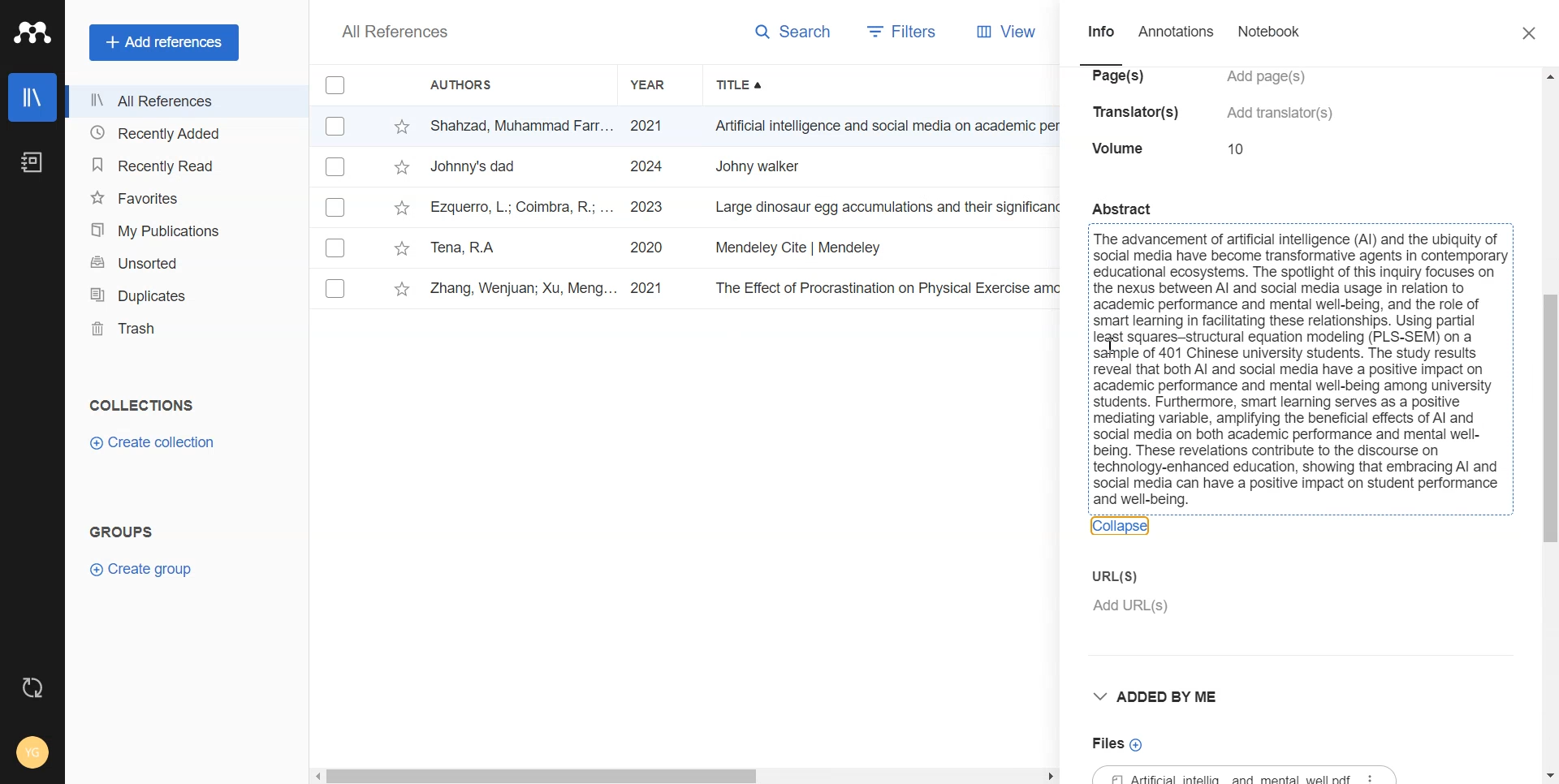 Image resolution: width=1559 pixels, height=784 pixels. Describe the element at coordinates (1163, 696) in the screenshot. I see `Drop down box` at that location.